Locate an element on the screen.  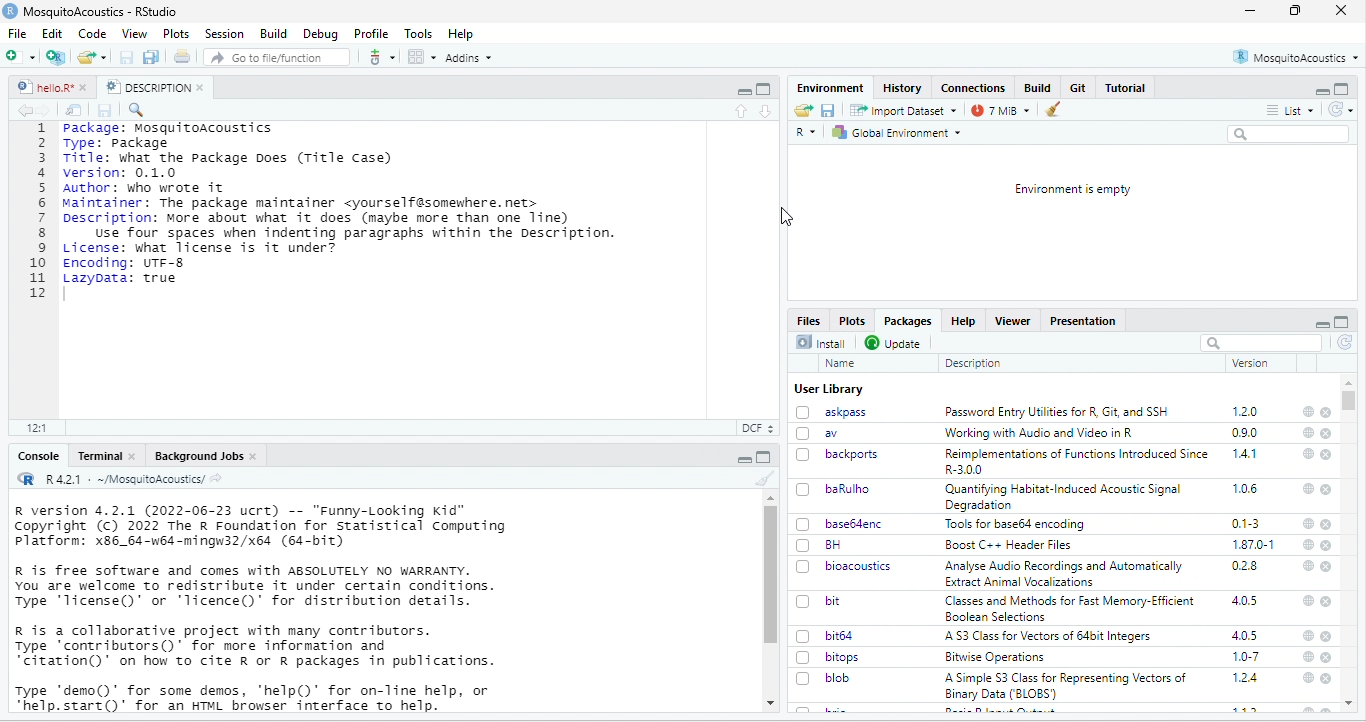
scroll up is located at coordinates (1351, 704).